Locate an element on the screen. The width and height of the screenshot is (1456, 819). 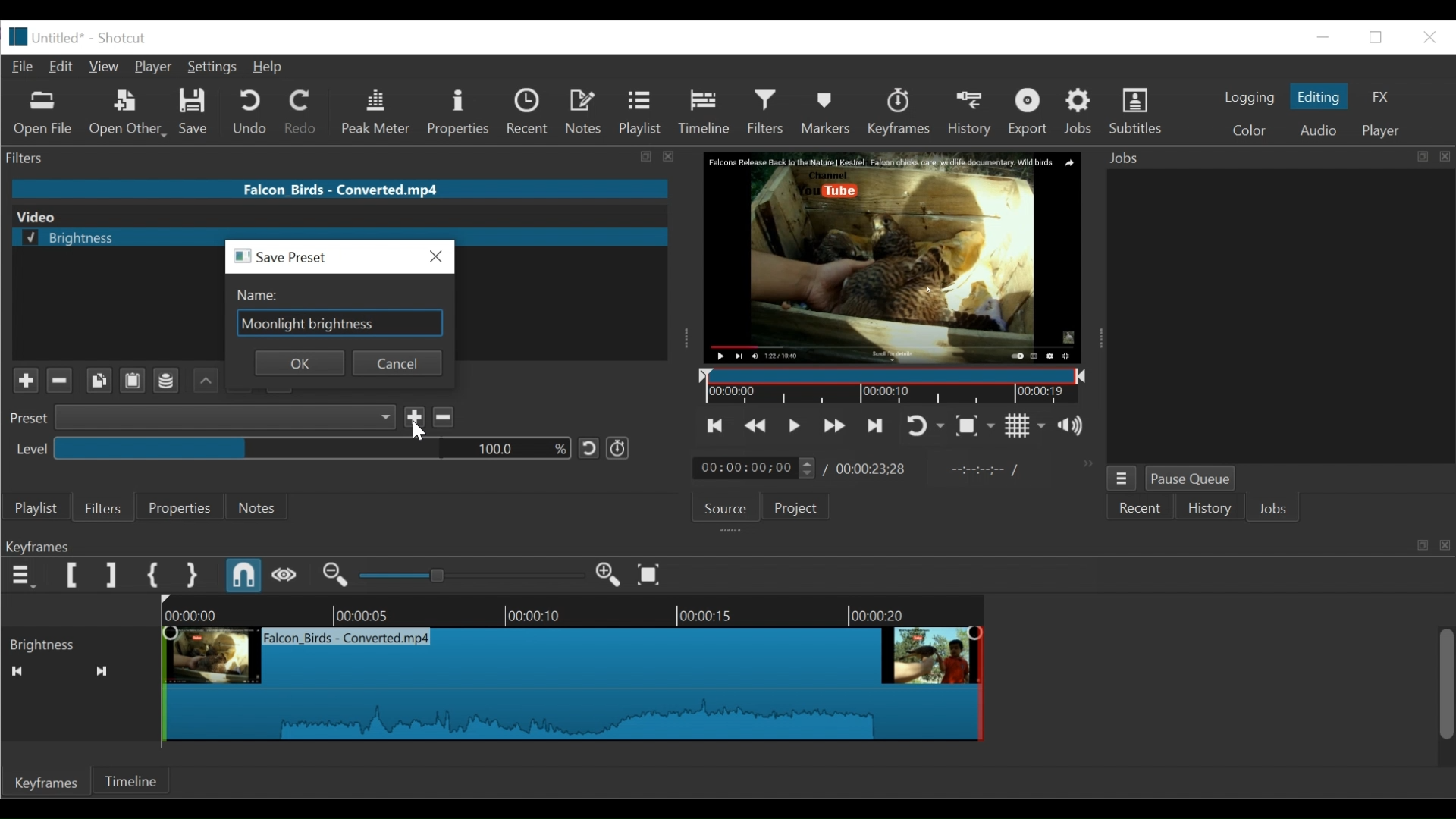
Seek backwards is located at coordinates (16, 671).